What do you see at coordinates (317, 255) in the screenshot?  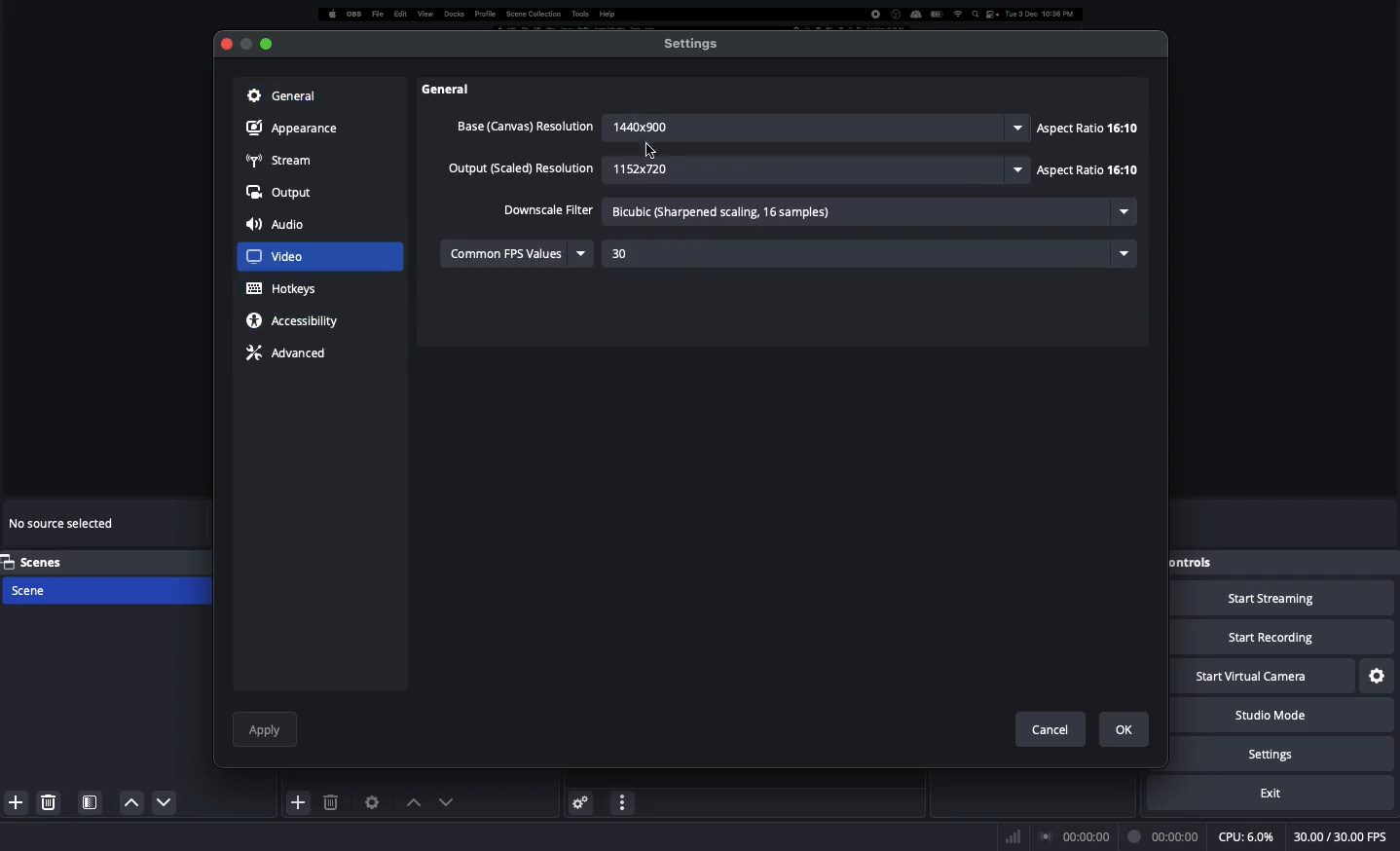 I see `Video` at bounding box center [317, 255].